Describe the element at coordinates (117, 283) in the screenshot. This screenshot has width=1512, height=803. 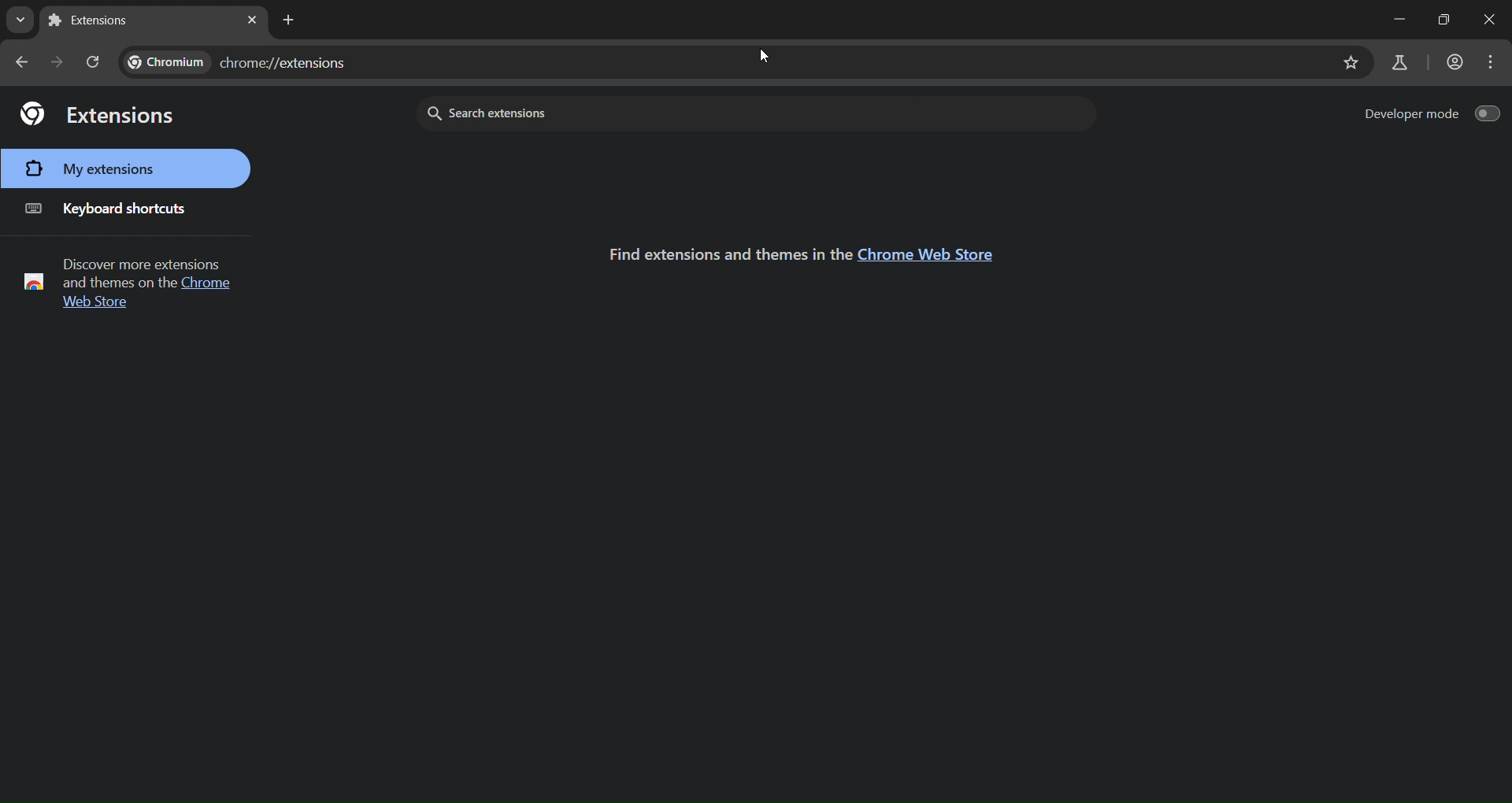
I see `and themes on the` at that location.